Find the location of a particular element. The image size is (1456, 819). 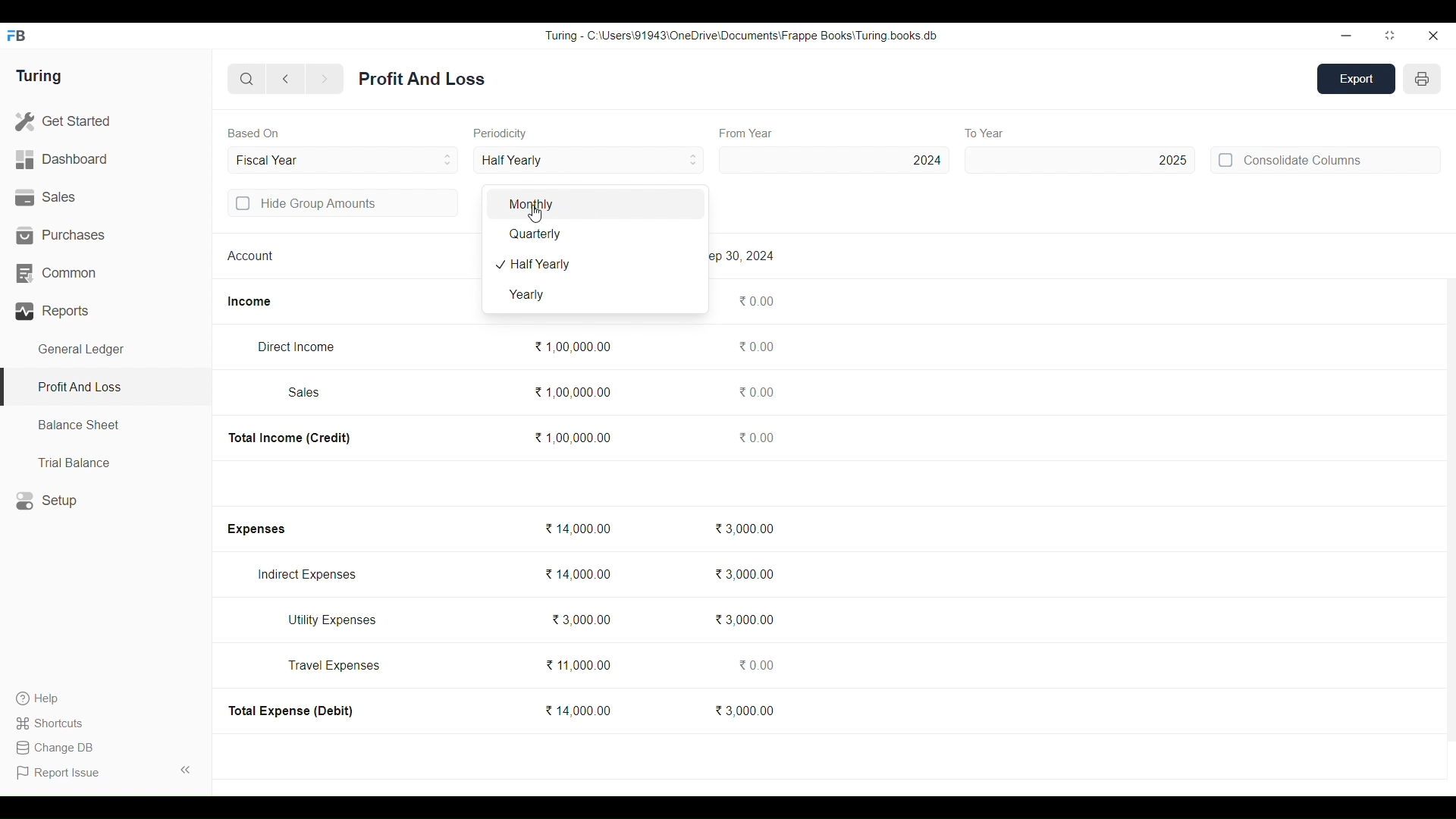

1,00,000.00 is located at coordinates (572, 393).